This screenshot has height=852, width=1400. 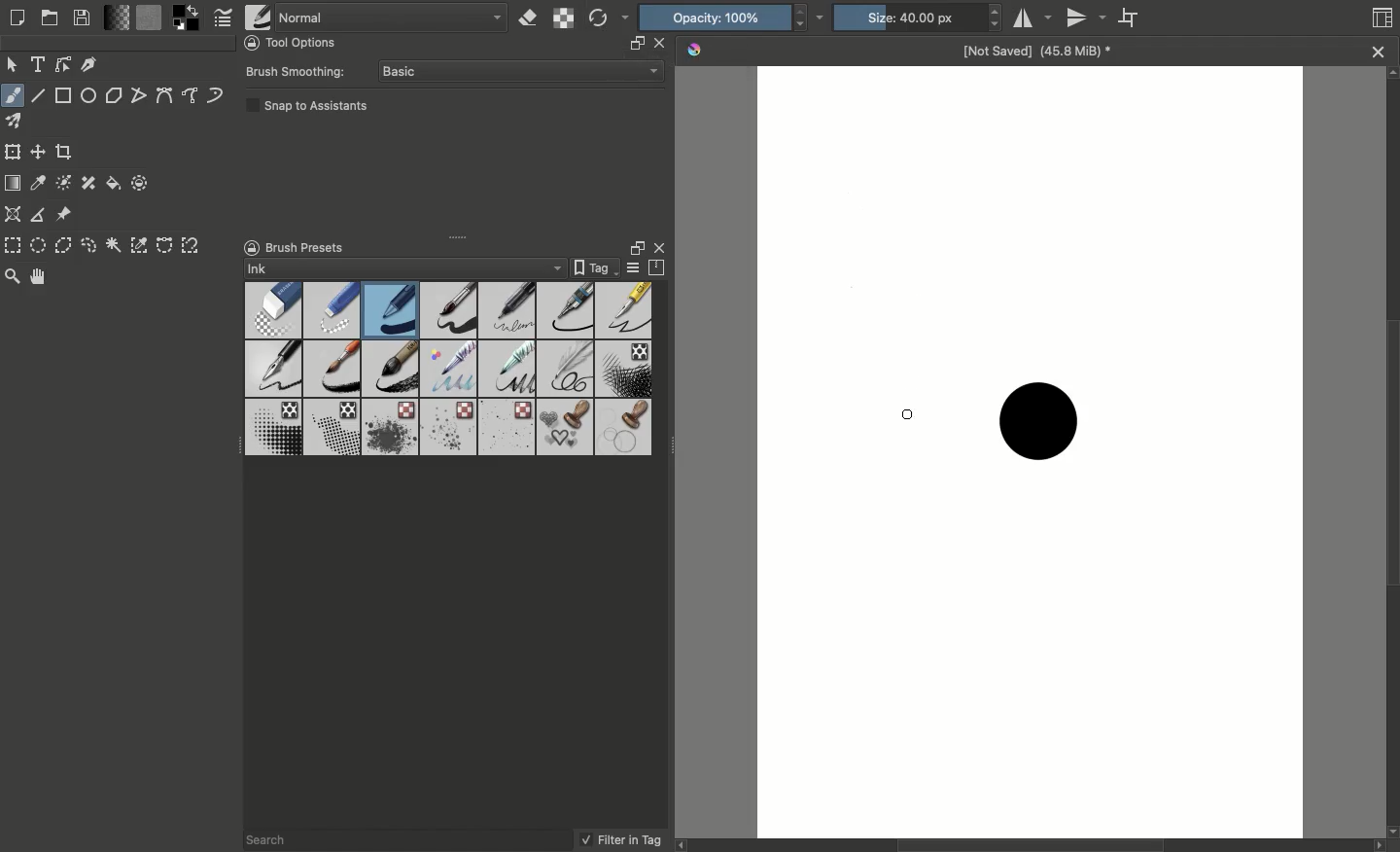 I want to click on Text, so click(x=40, y=64).